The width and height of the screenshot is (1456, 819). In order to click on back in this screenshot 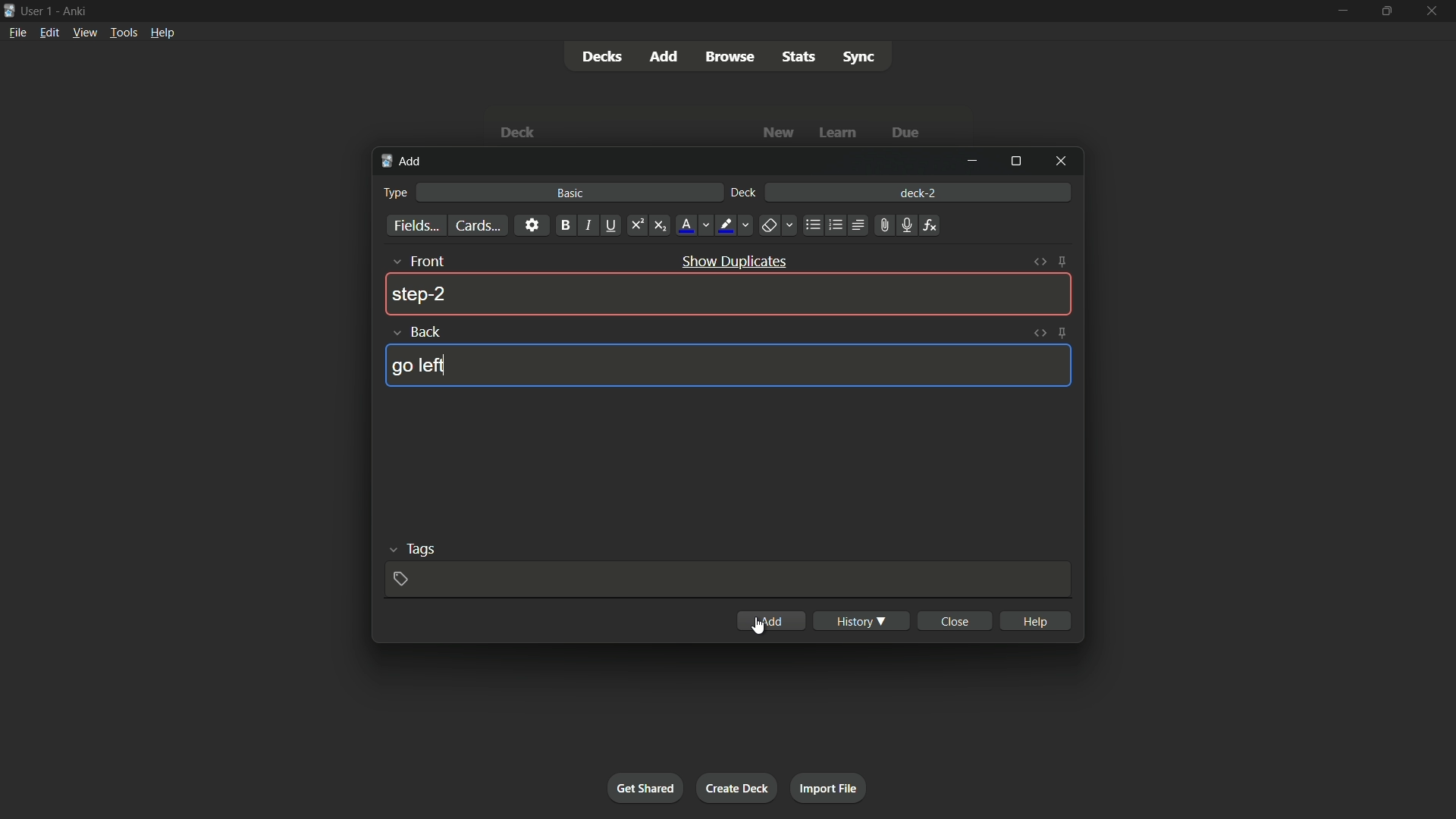, I will do `click(416, 332)`.